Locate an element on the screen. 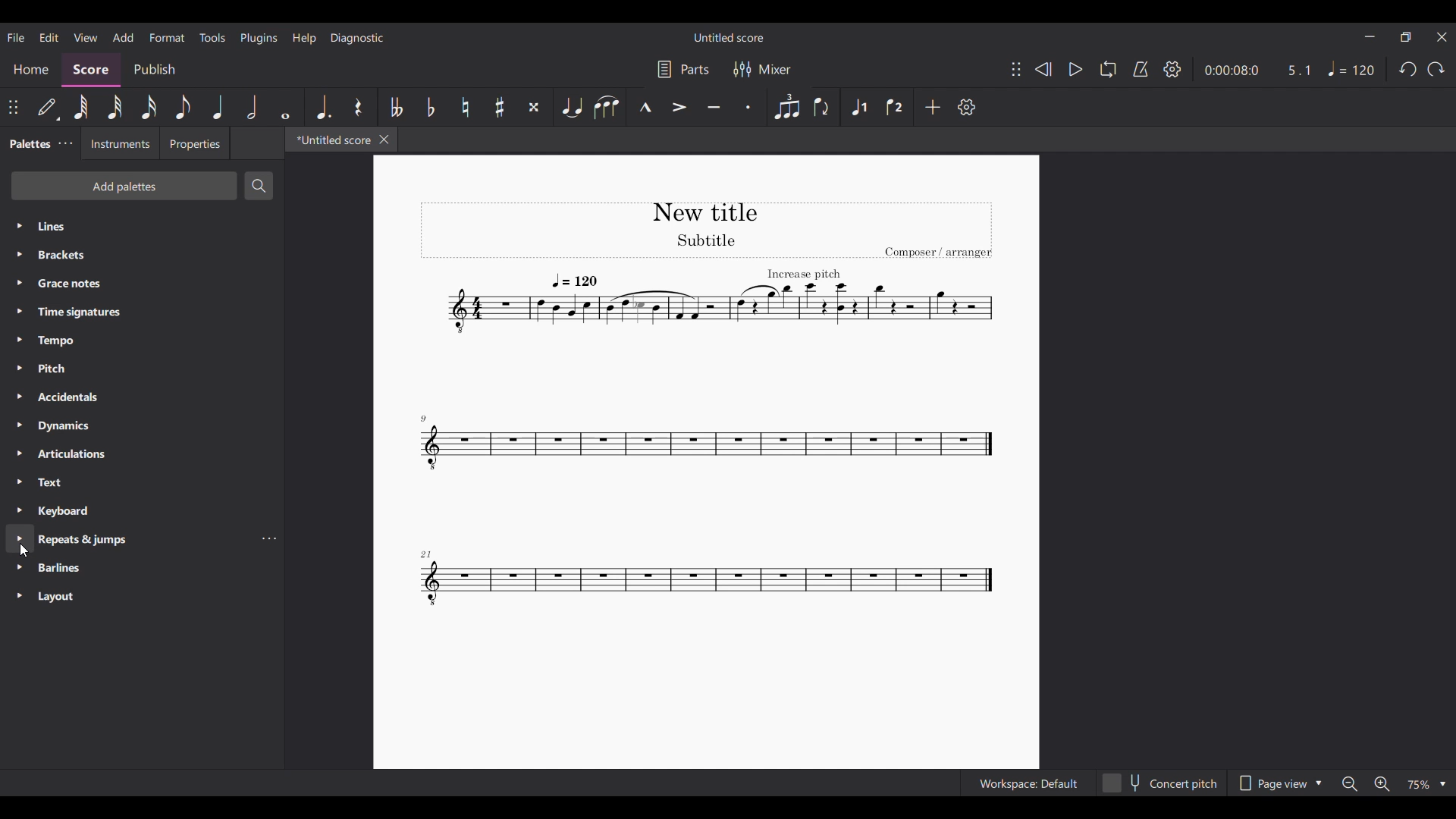 This screenshot has width=1456, height=819. Edit menu is located at coordinates (49, 38).